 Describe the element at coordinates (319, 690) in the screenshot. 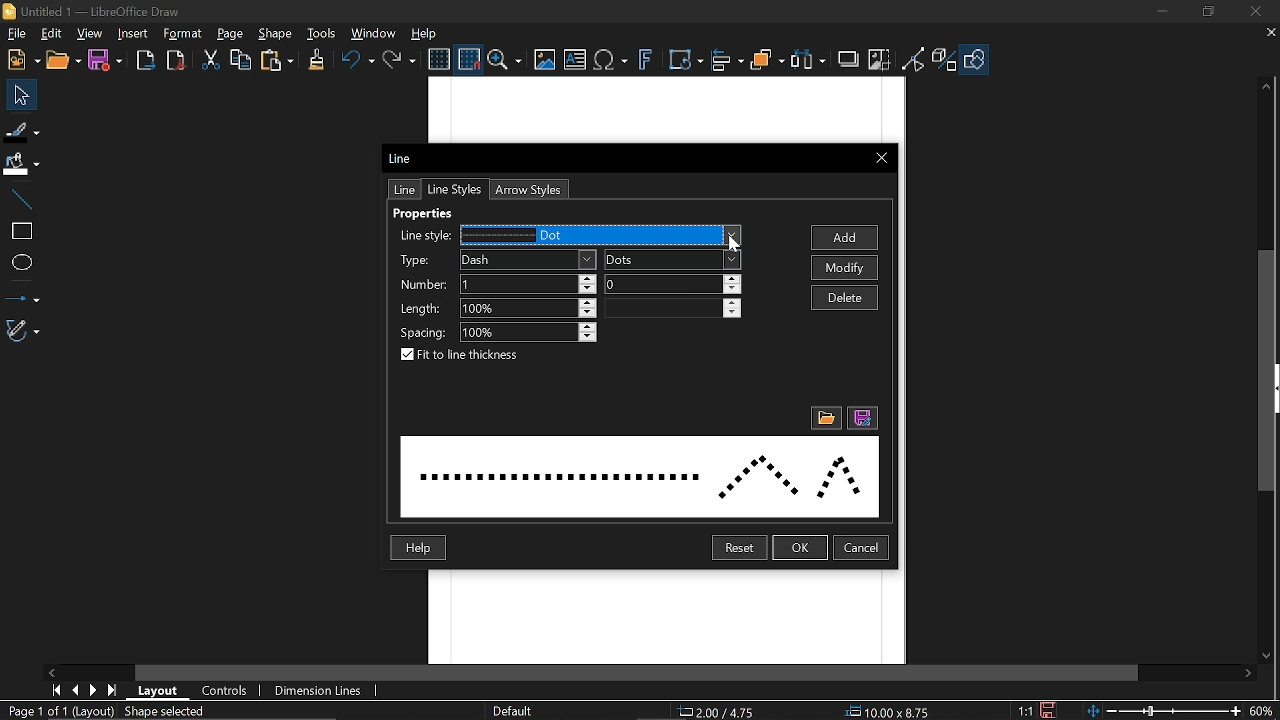

I see `Dimension lines` at that location.